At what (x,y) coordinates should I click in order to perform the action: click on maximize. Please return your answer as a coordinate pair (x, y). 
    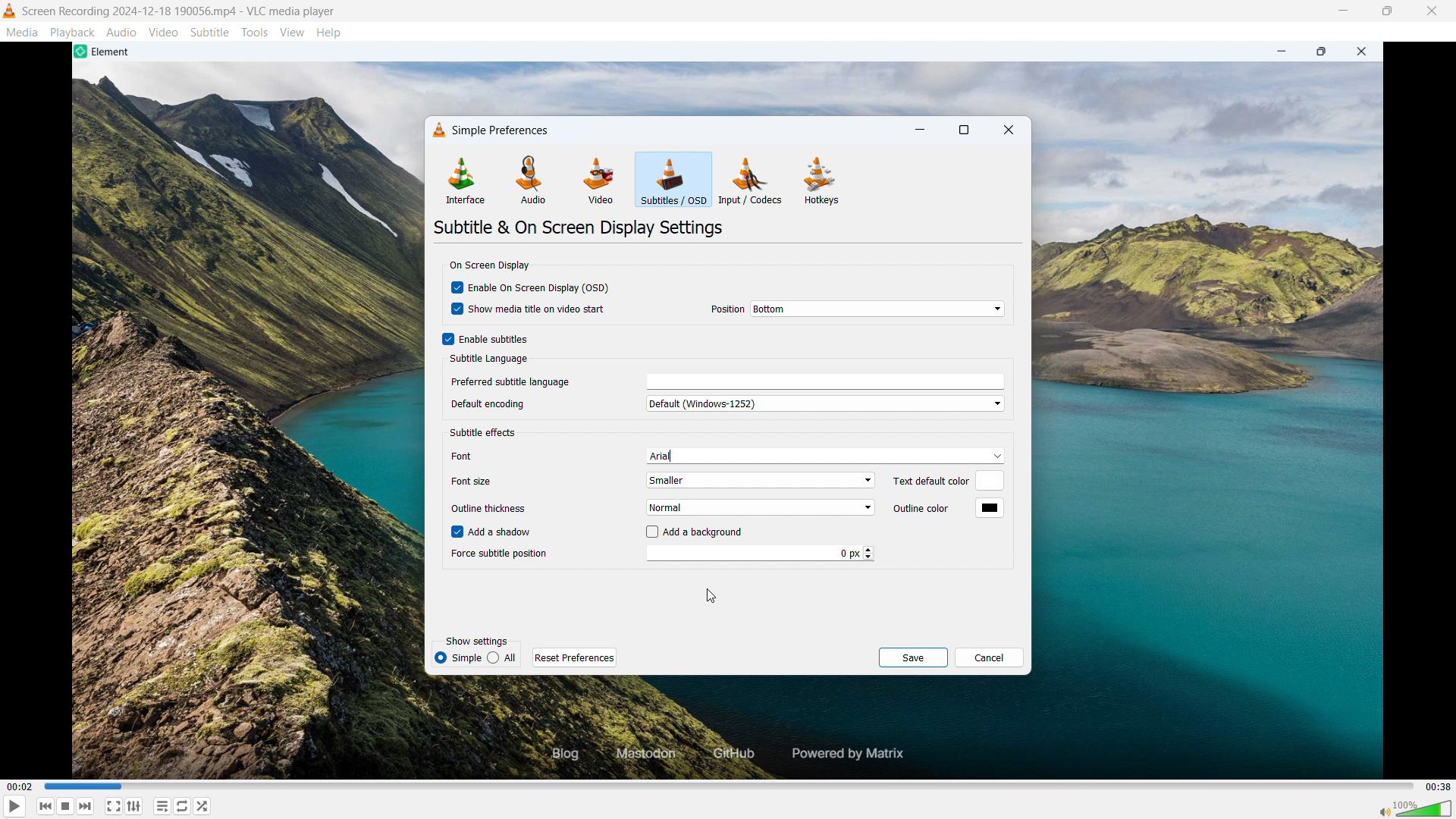
    Looking at the image, I should click on (963, 131).